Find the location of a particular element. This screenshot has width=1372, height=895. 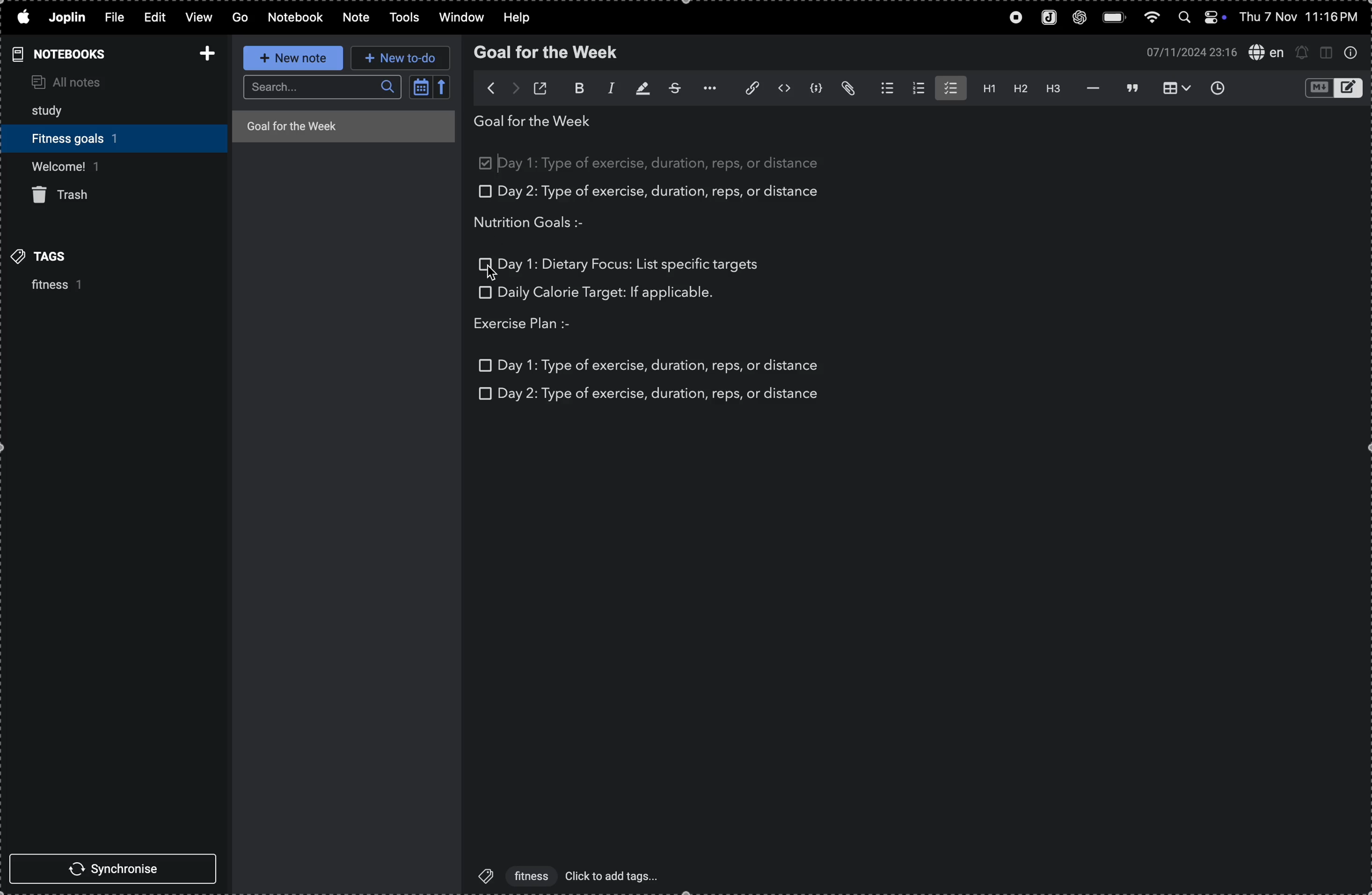

info is located at coordinates (1354, 54).